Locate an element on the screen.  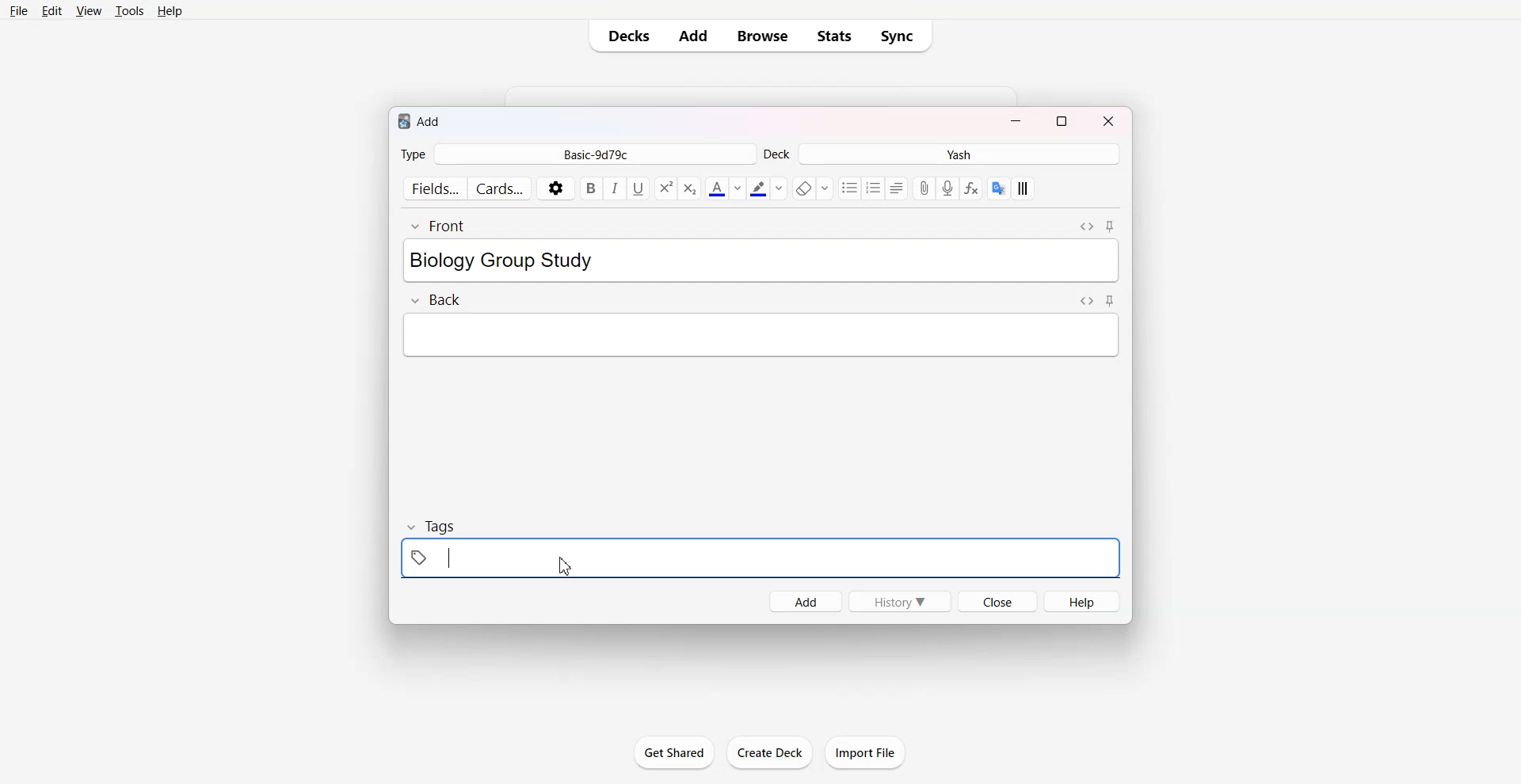
Close is located at coordinates (997, 601).